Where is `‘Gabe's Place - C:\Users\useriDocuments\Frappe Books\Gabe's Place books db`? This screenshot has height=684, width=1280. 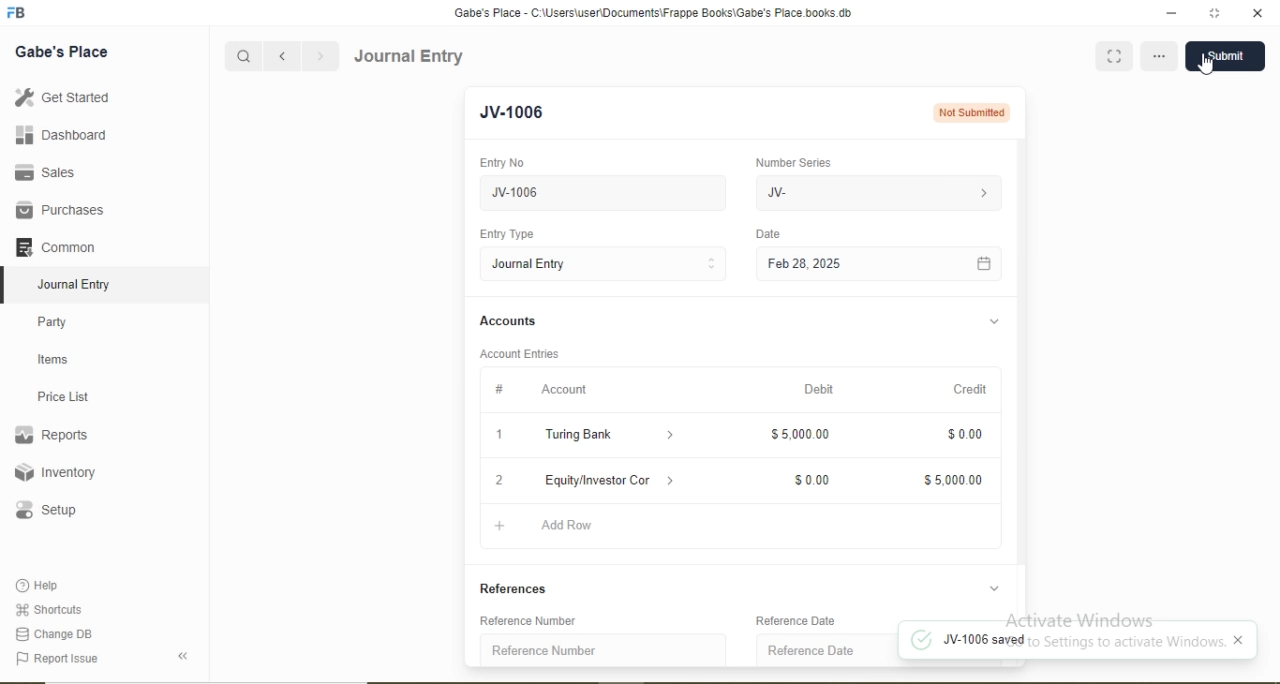
‘Gabe's Place - C:\Users\useriDocuments\Frappe Books\Gabe's Place books db is located at coordinates (652, 13).